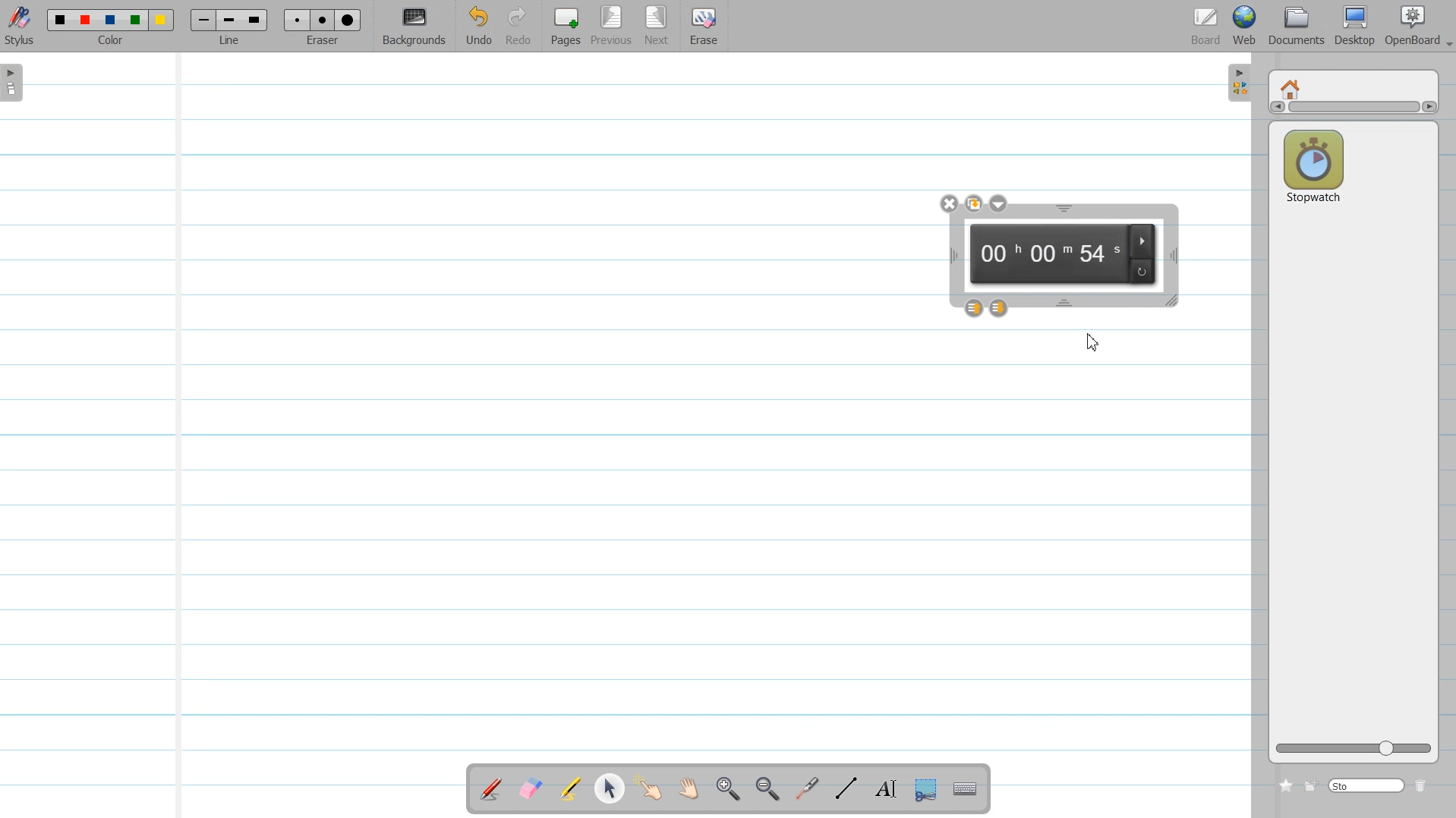 The height and width of the screenshot is (818, 1456). What do you see at coordinates (614, 27) in the screenshot?
I see `Previous` at bounding box center [614, 27].